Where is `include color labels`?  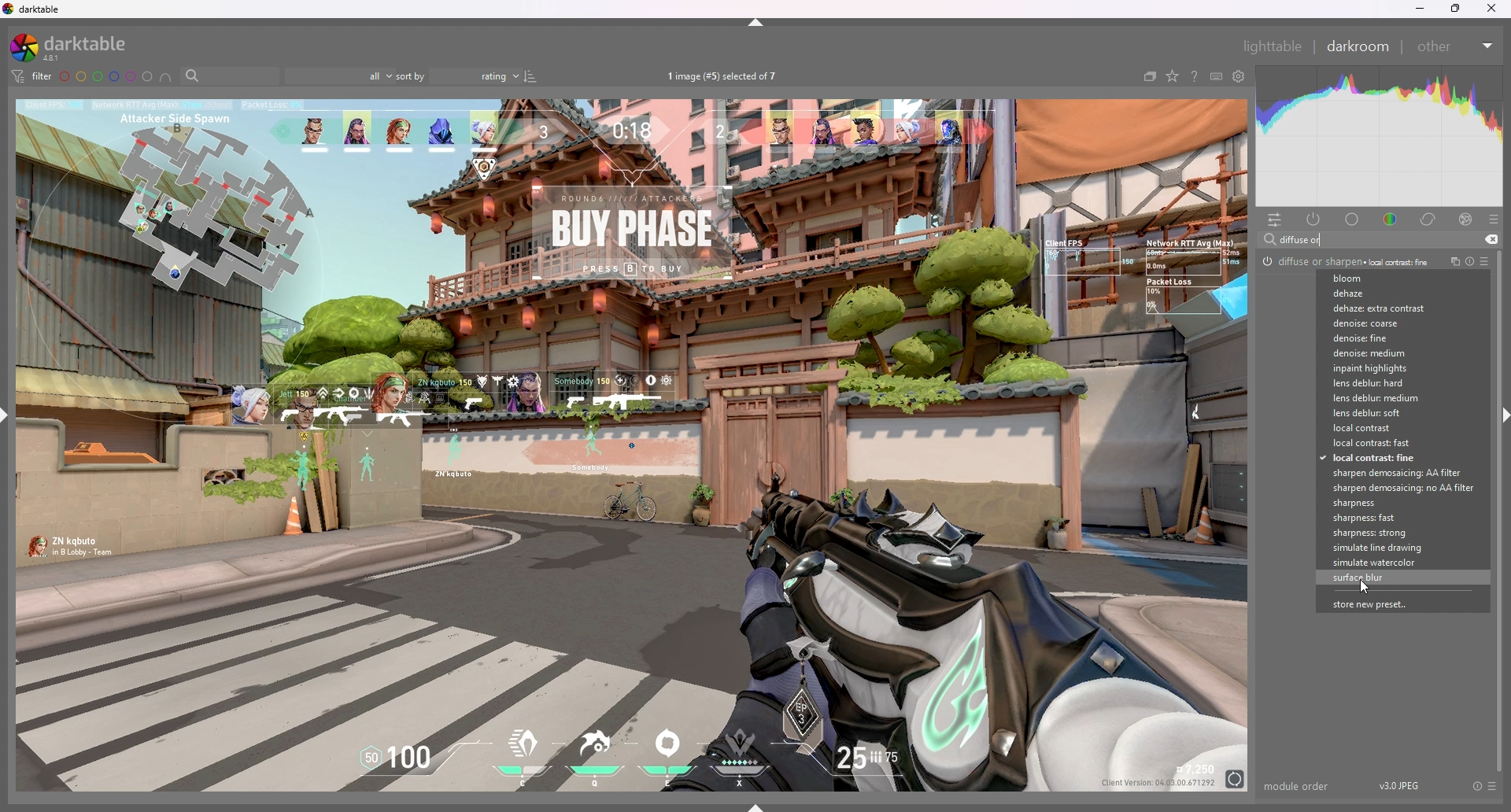
include color labels is located at coordinates (165, 76).